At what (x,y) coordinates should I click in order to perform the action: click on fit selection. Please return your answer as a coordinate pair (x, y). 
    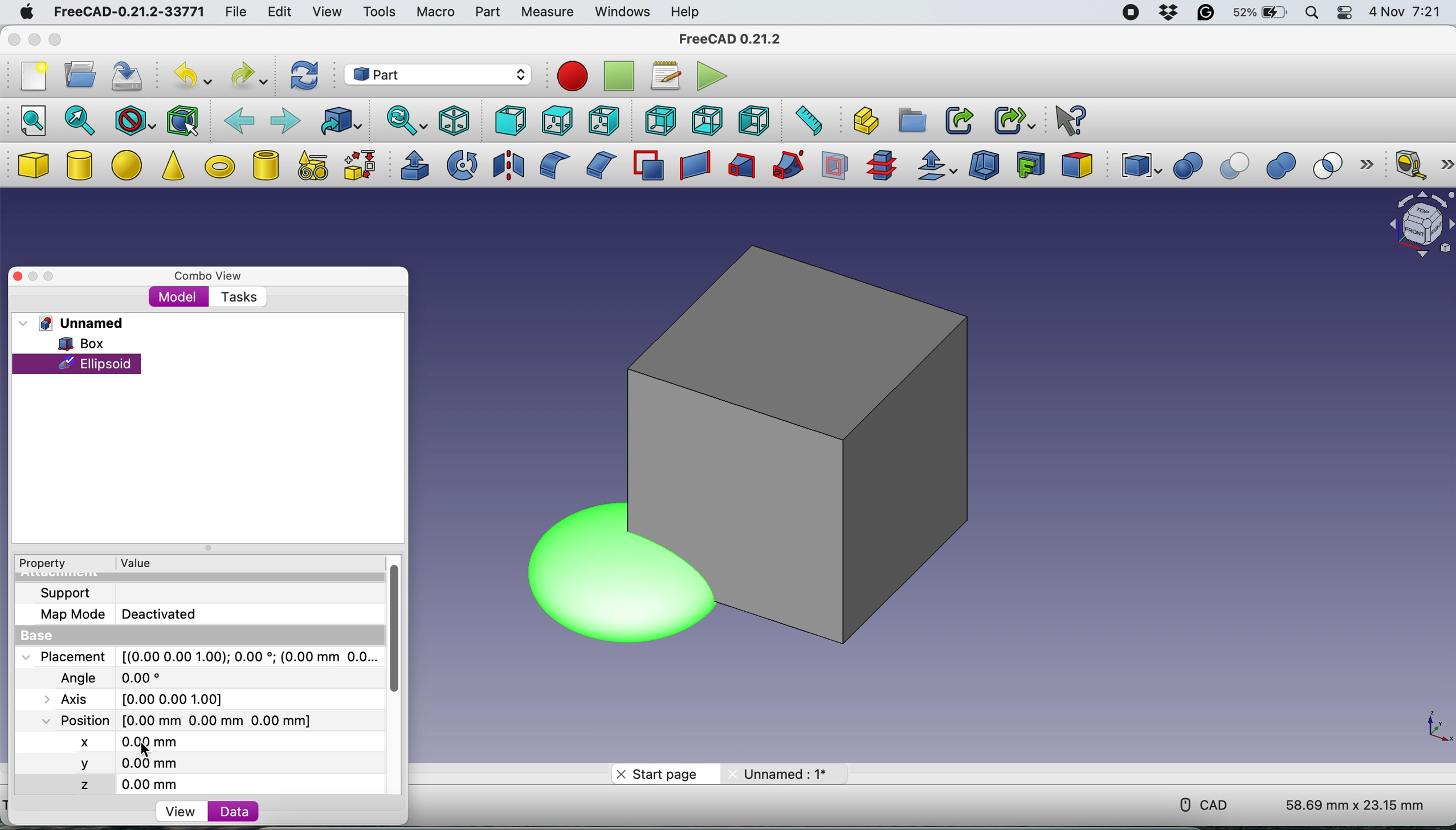
    Looking at the image, I should click on (80, 120).